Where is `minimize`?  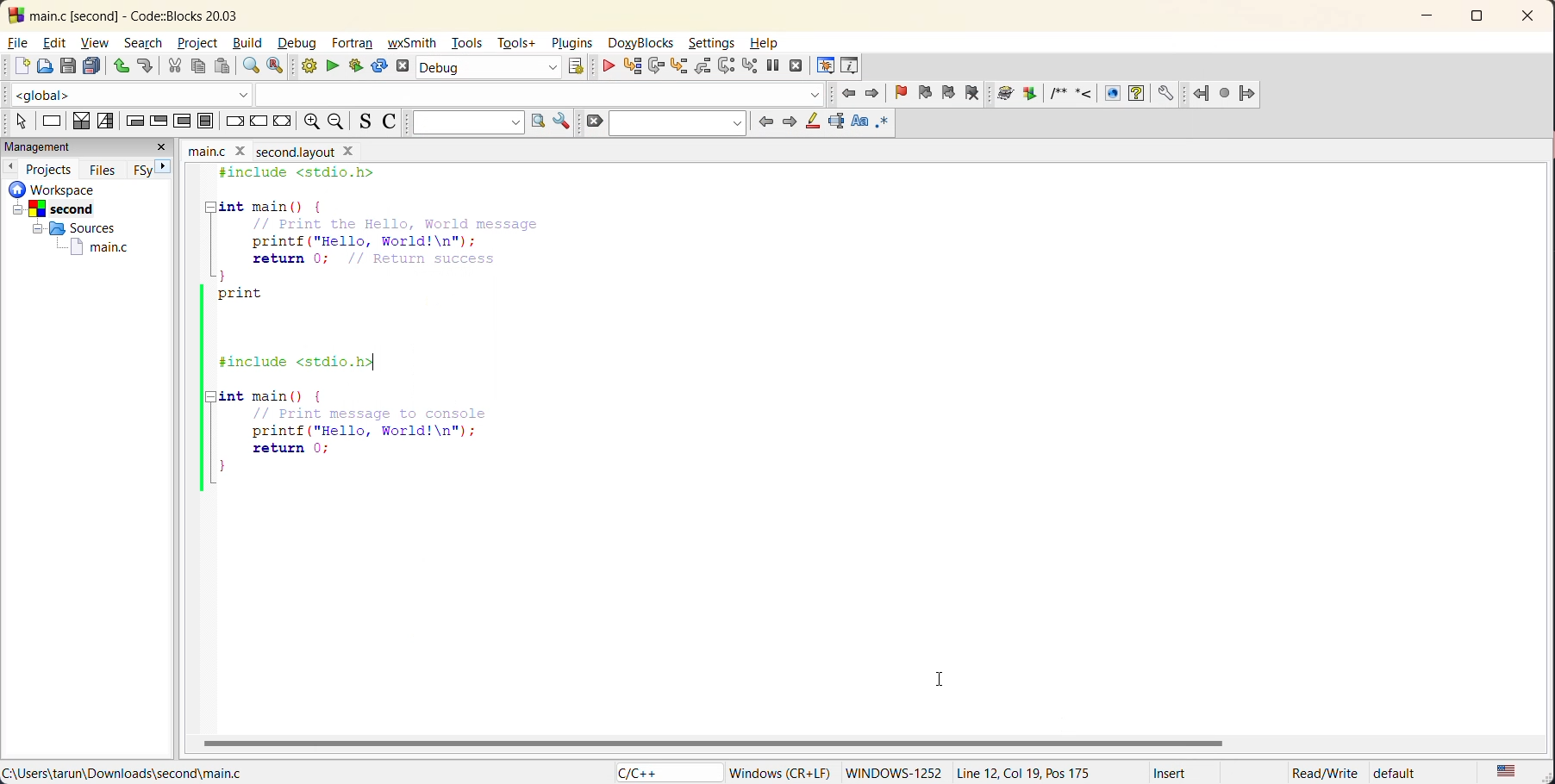 minimize is located at coordinates (1427, 17).